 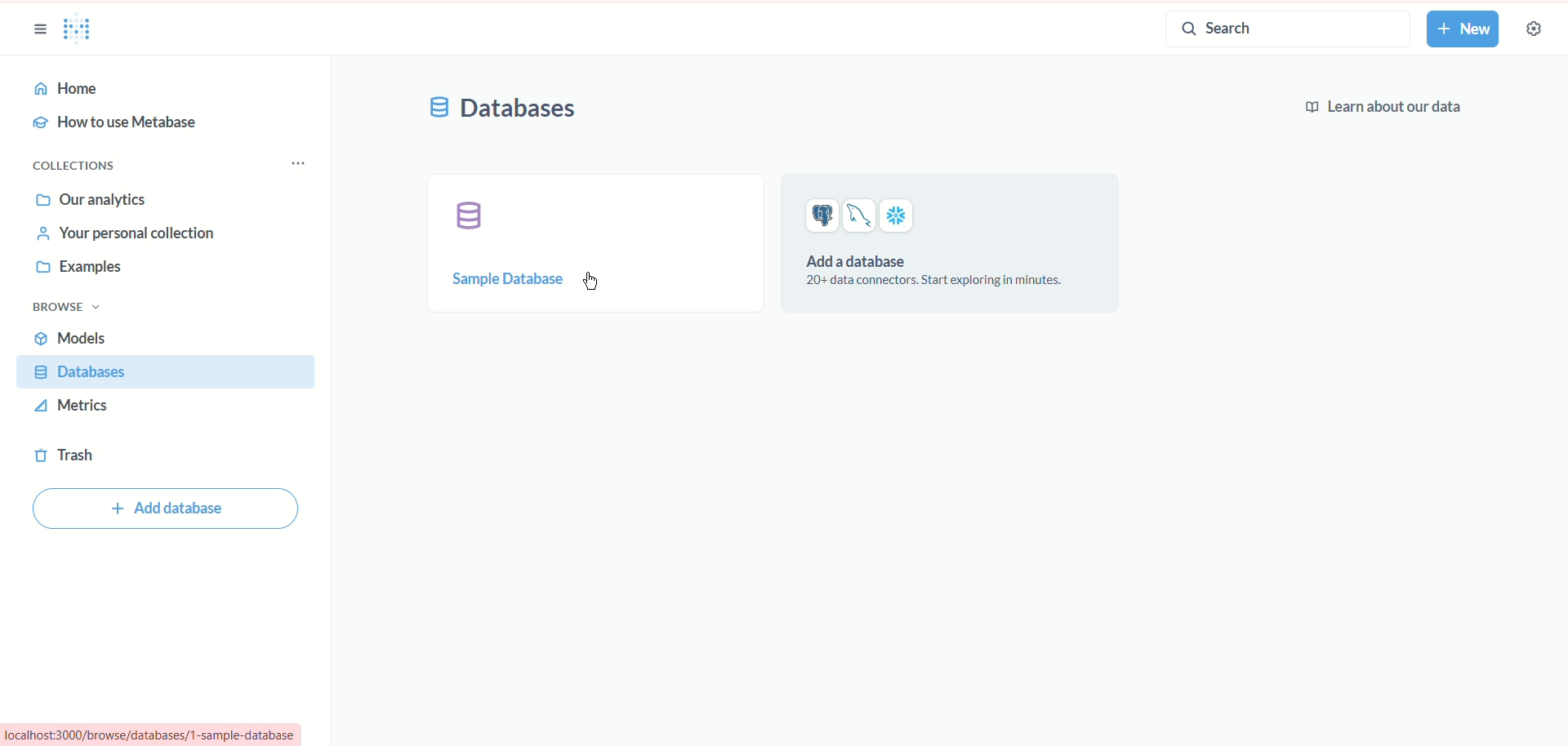 What do you see at coordinates (1536, 29) in the screenshot?
I see `settings` at bounding box center [1536, 29].